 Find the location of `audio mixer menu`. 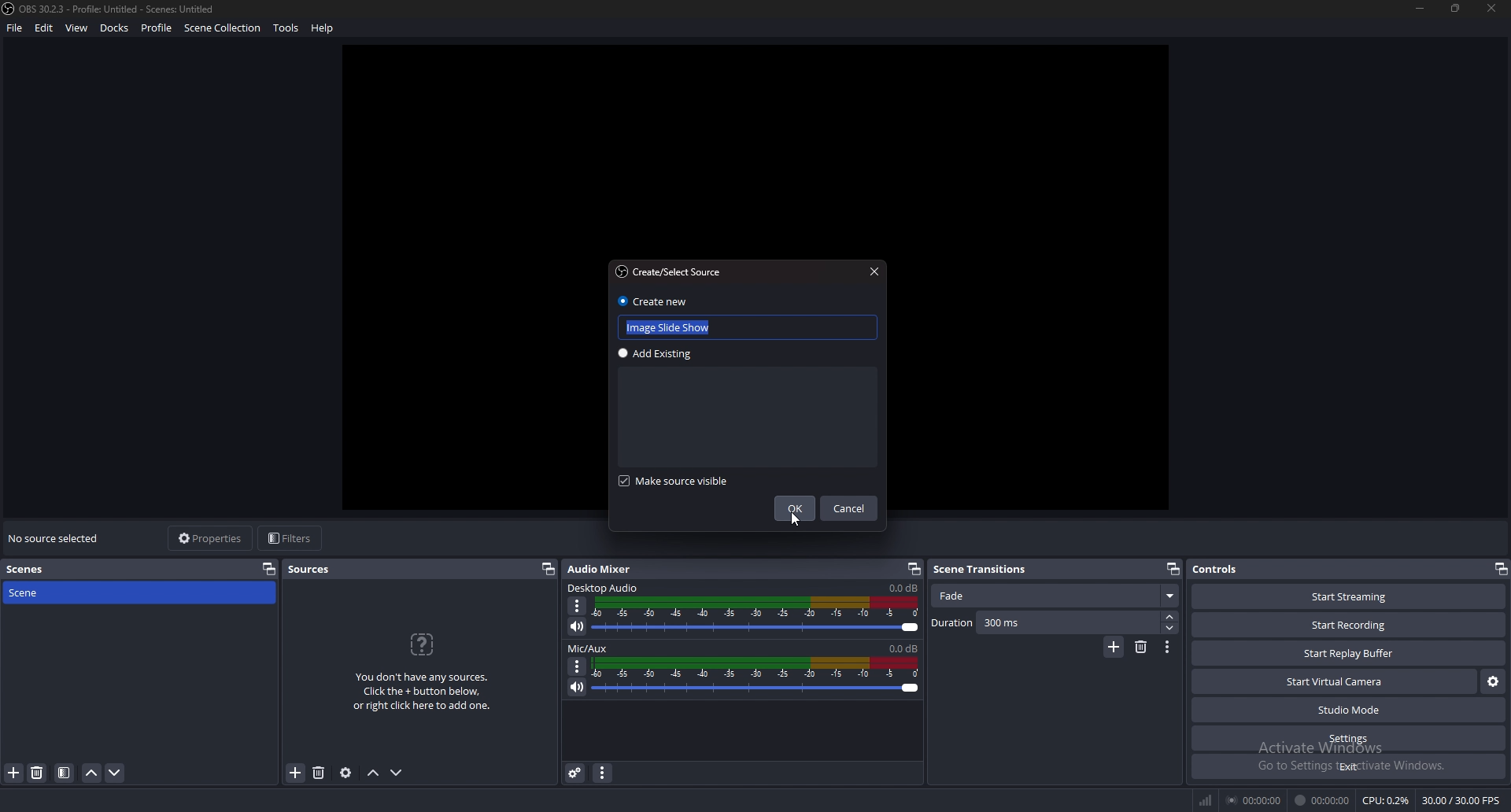

audio mixer menu is located at coordinates (602, 773).